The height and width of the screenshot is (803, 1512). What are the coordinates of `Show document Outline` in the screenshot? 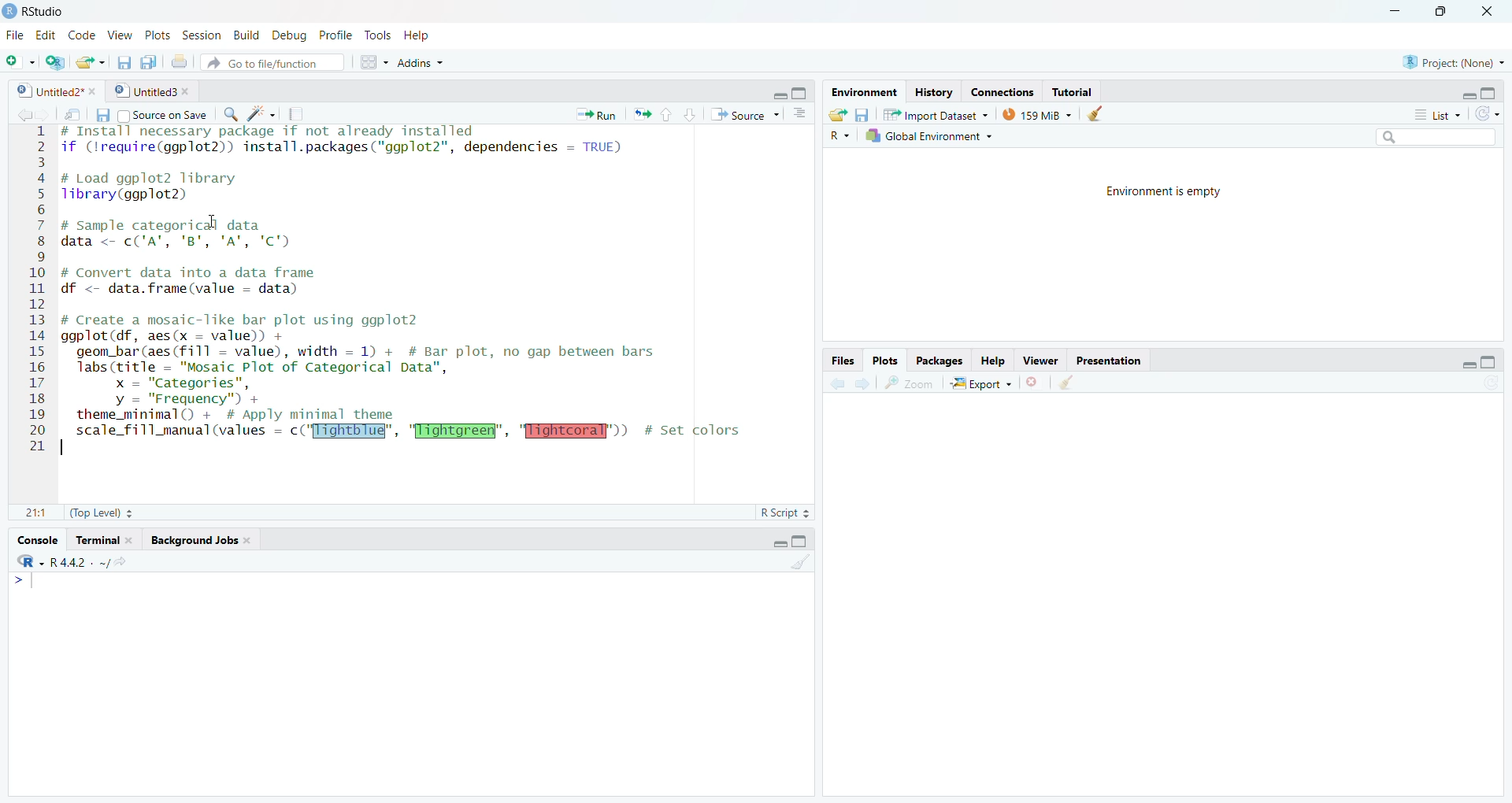 It's located at (802, 113).